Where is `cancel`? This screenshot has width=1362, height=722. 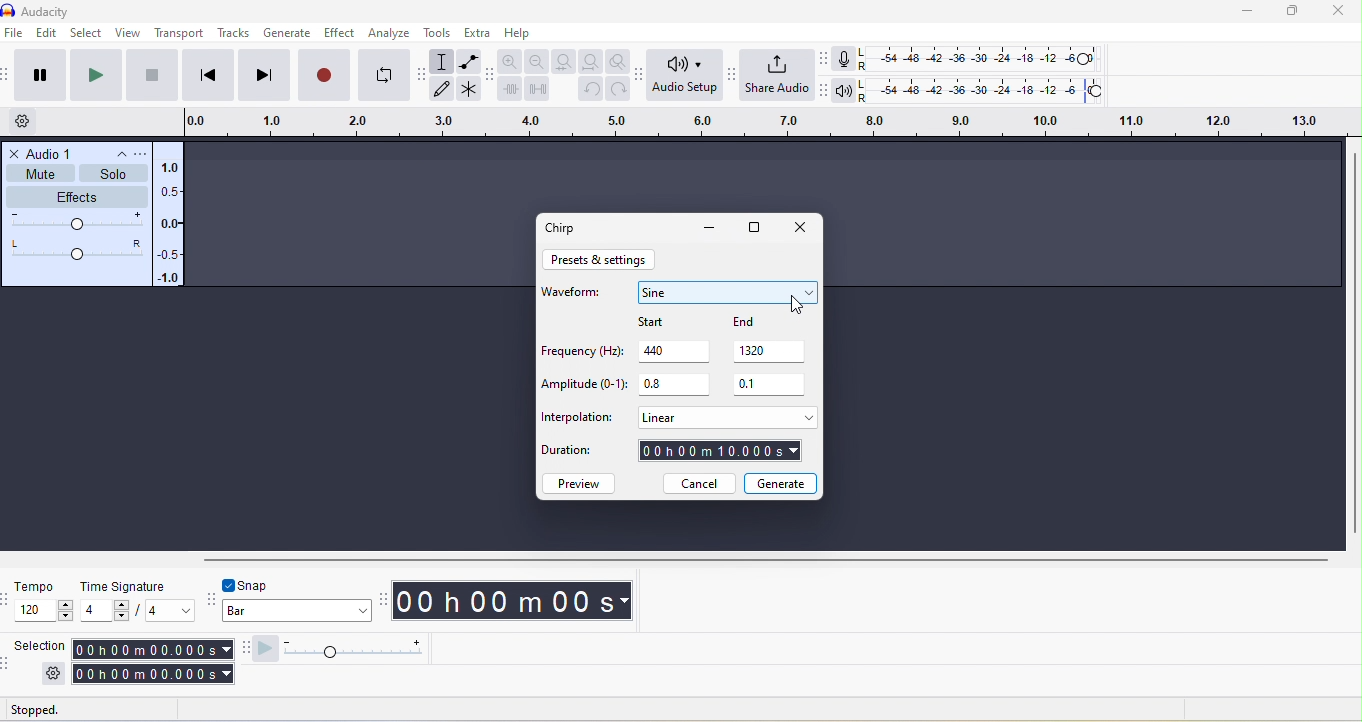 cancel is located at coordinates (698, 484).